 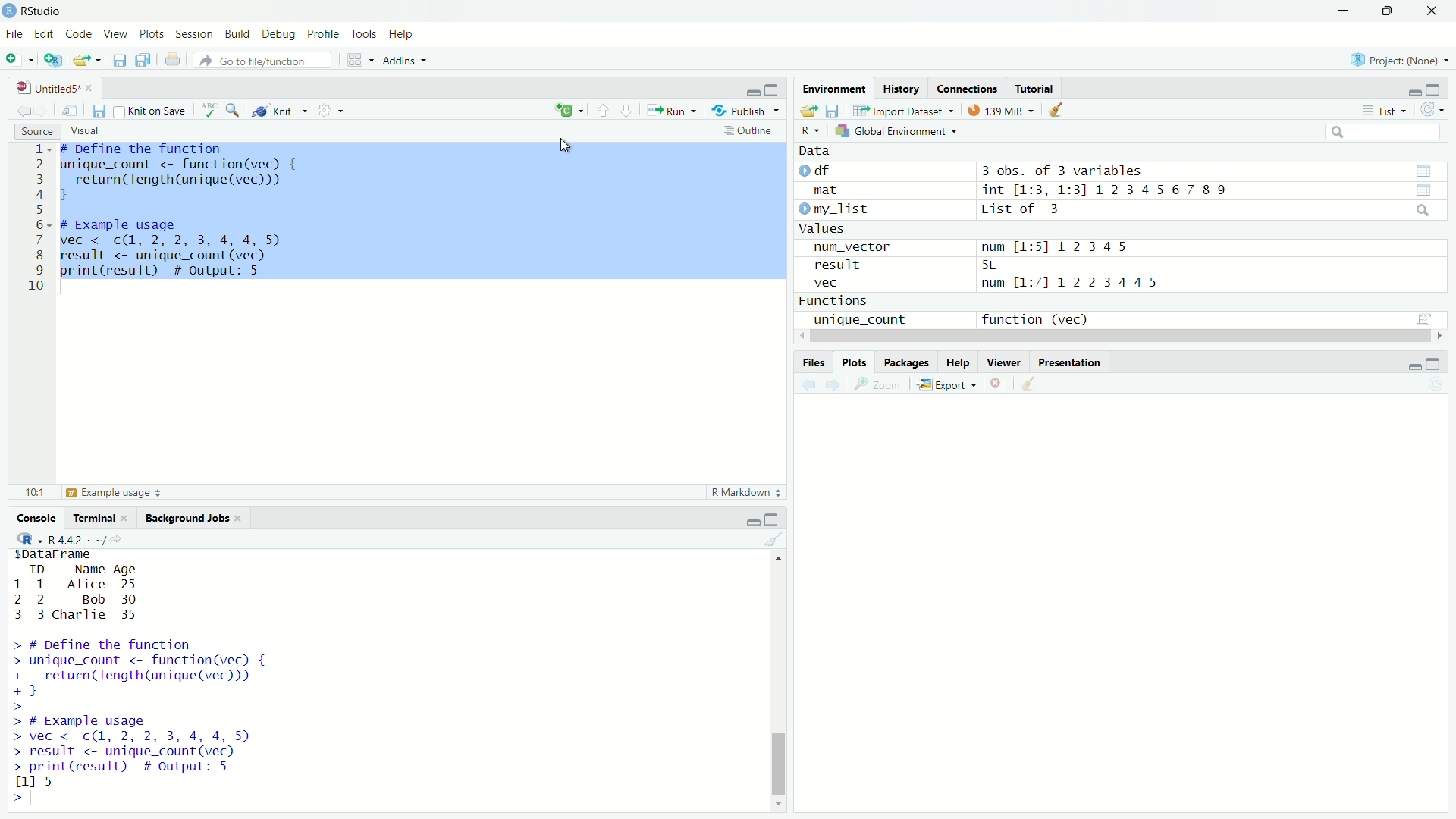 I want to click on List, so click(x=1385, y=111).